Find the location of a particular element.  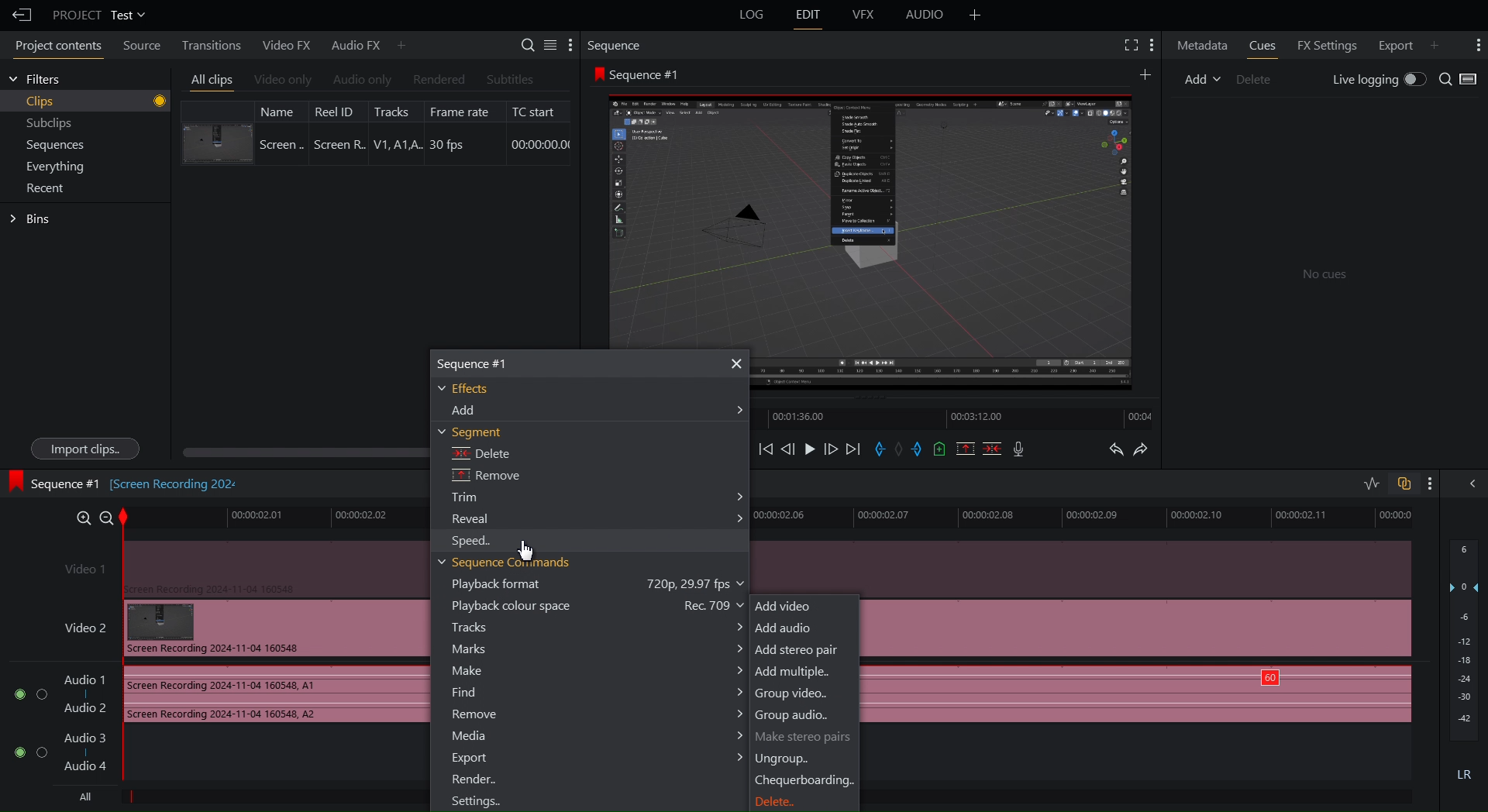

Media is located at coordinates (598, 736).